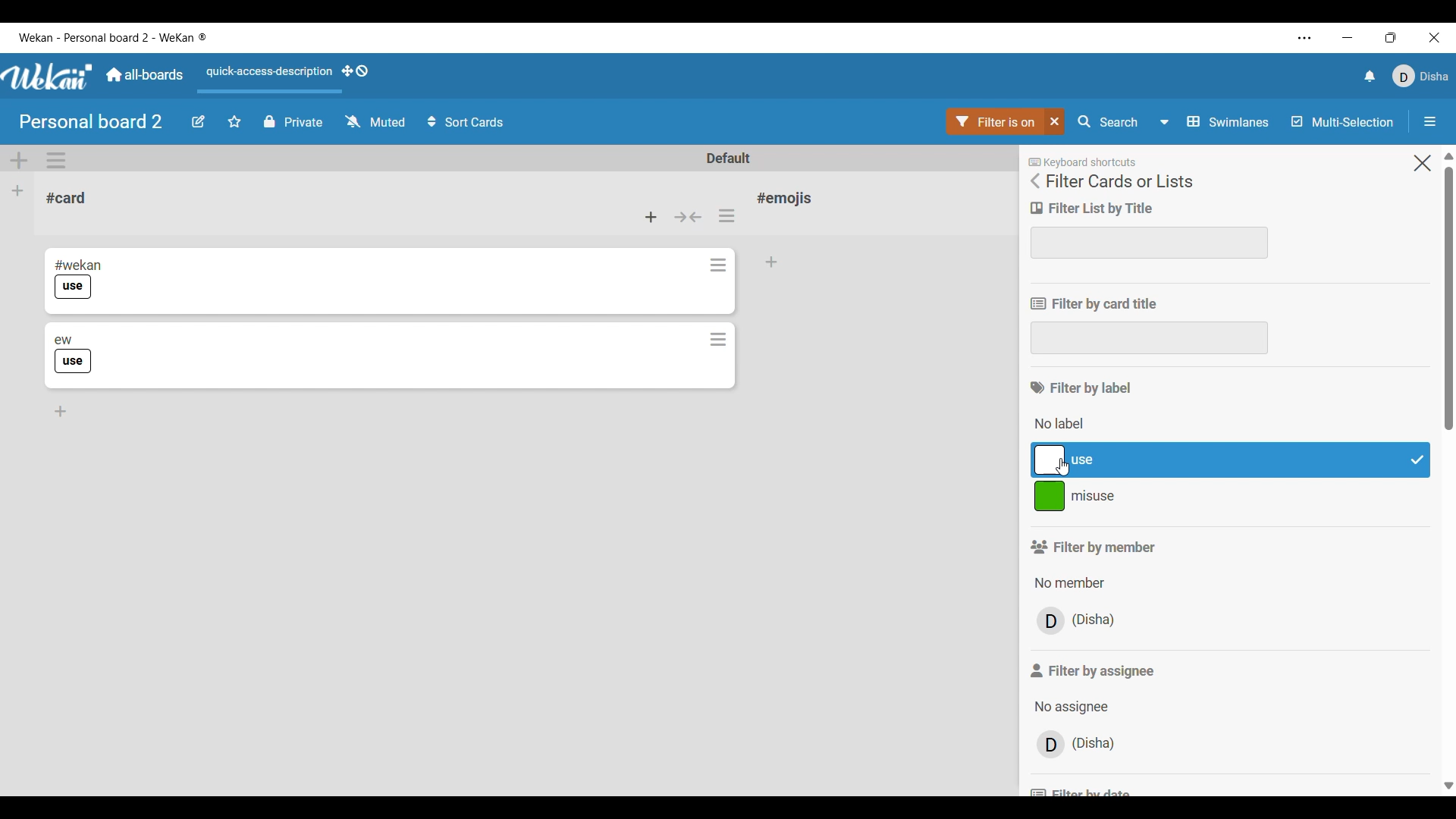 This screenshot has height=819, width=1456. Describe the element at coordinates (1149, 338) in the screenshot. I see `Text box to input filter criteria` at that location.